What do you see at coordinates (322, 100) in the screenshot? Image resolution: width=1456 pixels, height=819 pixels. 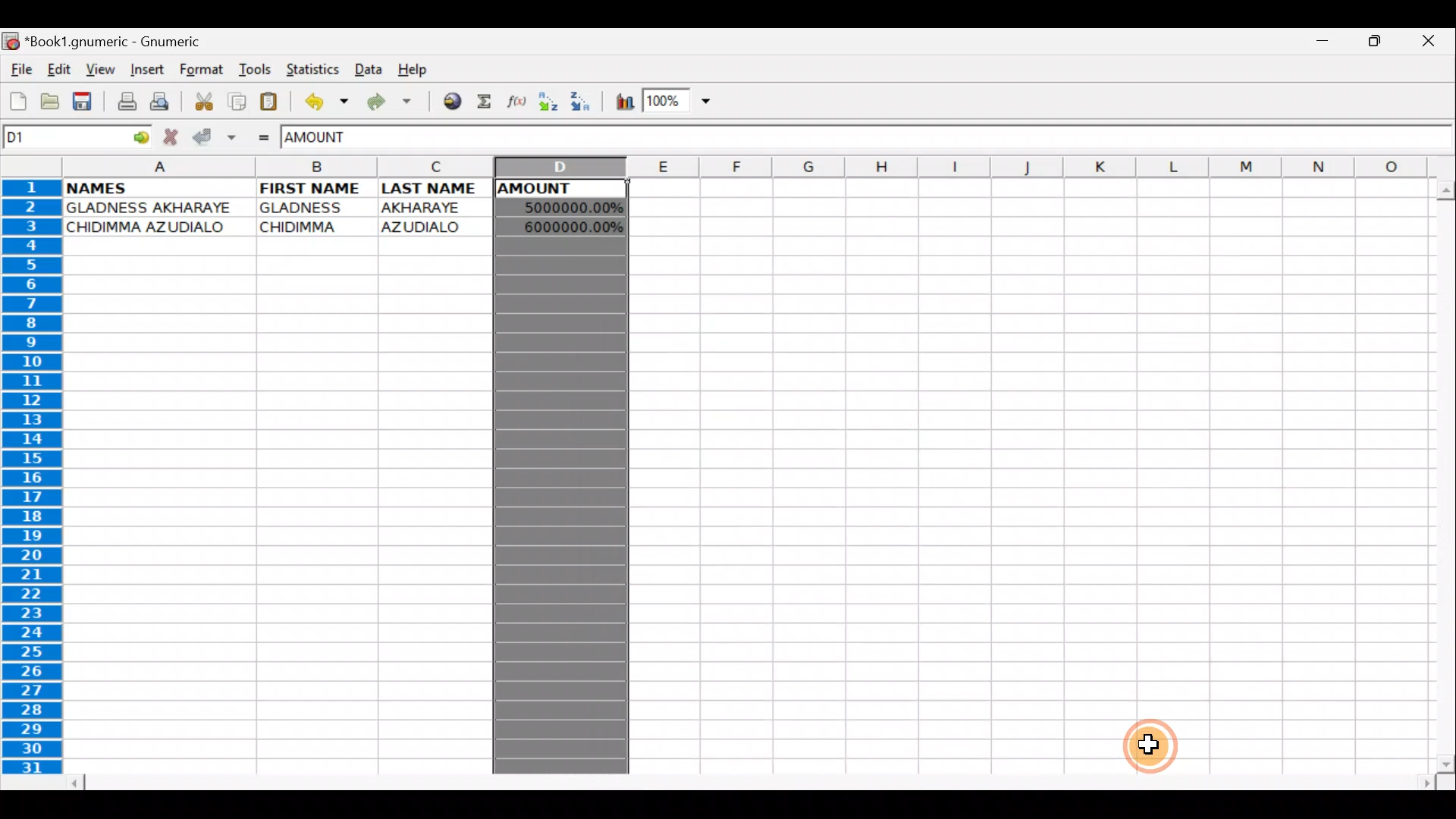 I see `Undo last action` at bounding box center [322, 100].